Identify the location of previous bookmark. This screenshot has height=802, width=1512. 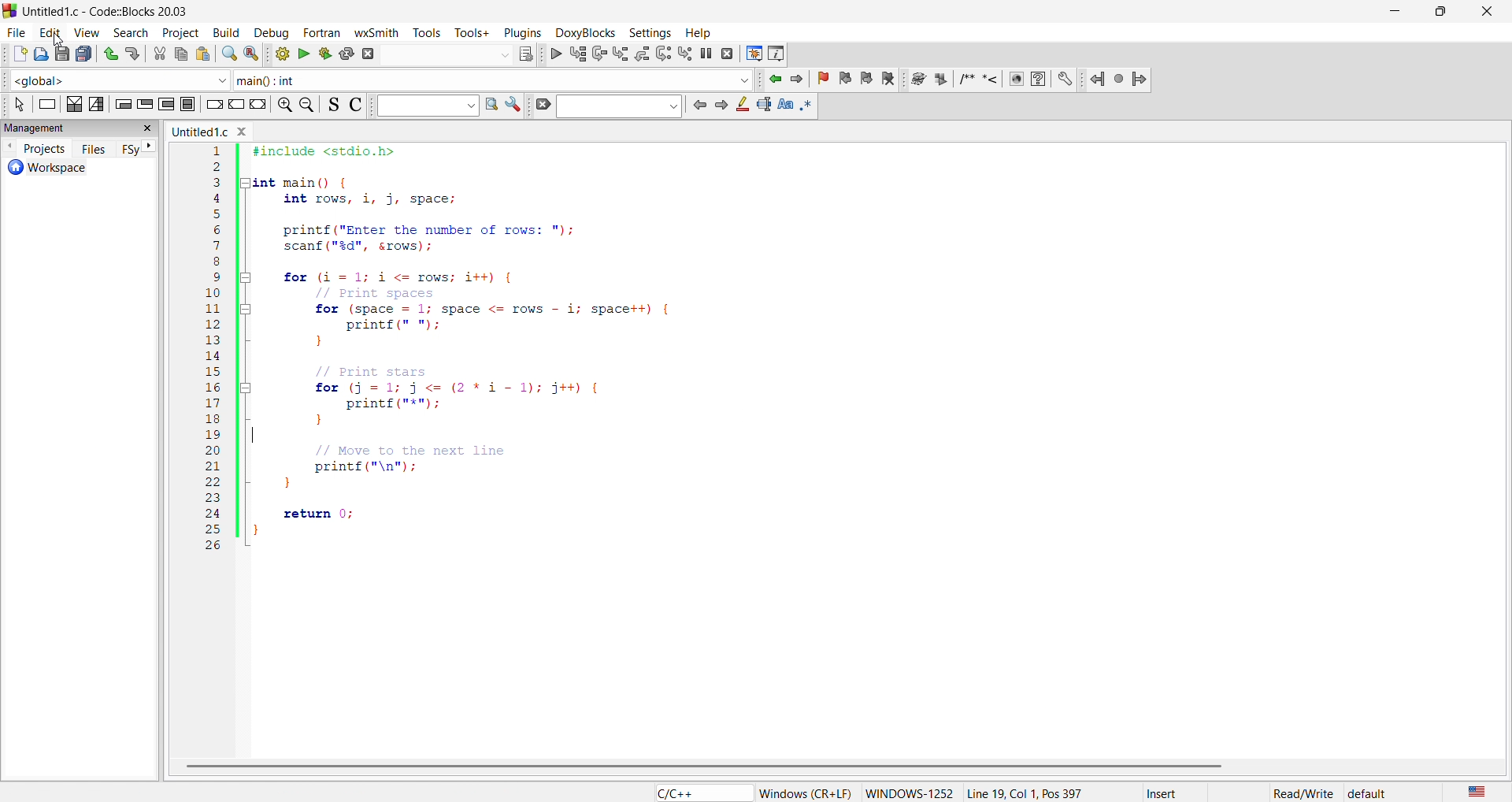
(847, 76).